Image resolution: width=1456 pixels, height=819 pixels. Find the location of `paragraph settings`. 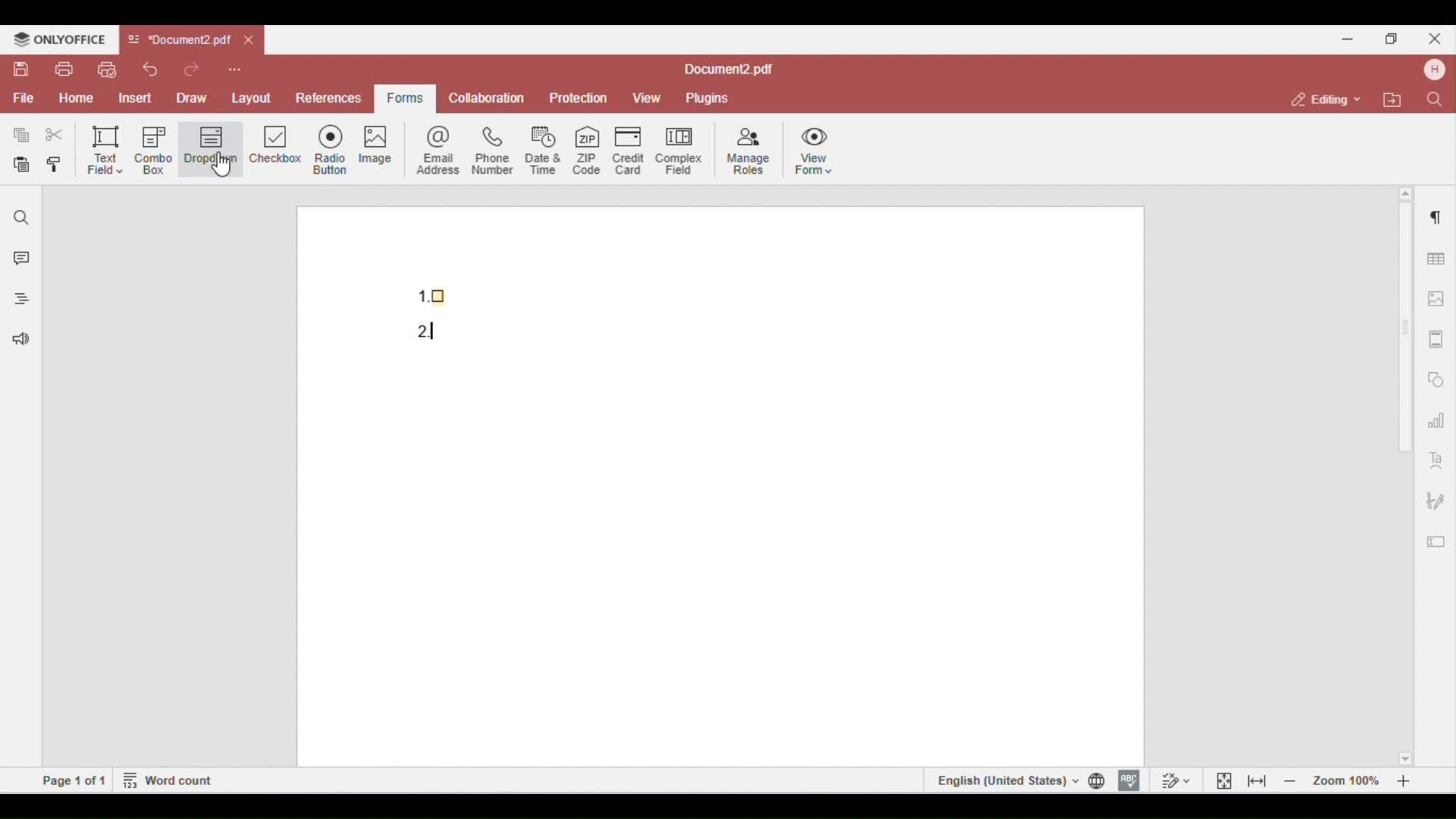

paragraph settings is located at coordinates (1432, 214).